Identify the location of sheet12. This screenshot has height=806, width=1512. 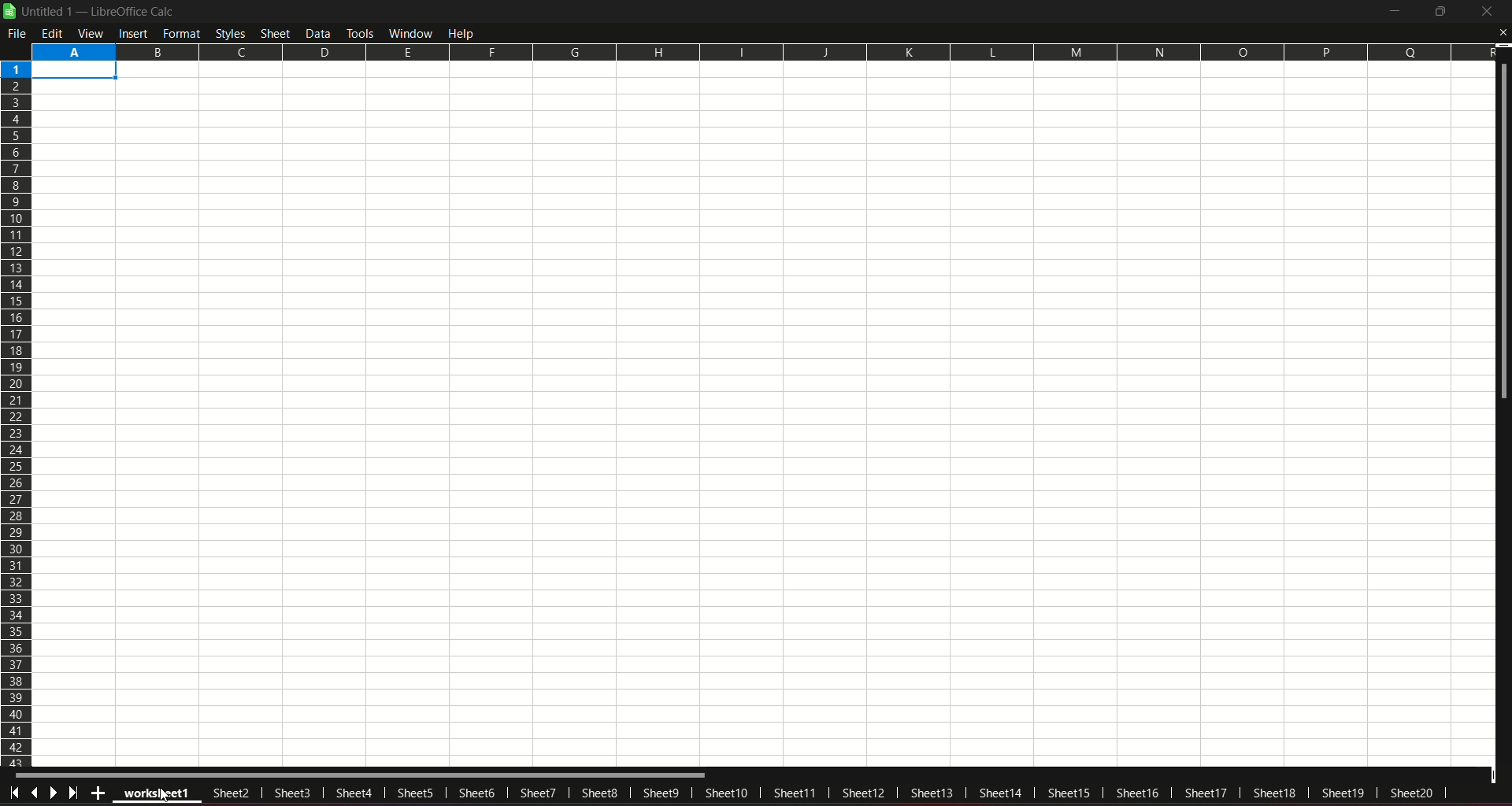
(863, 792).